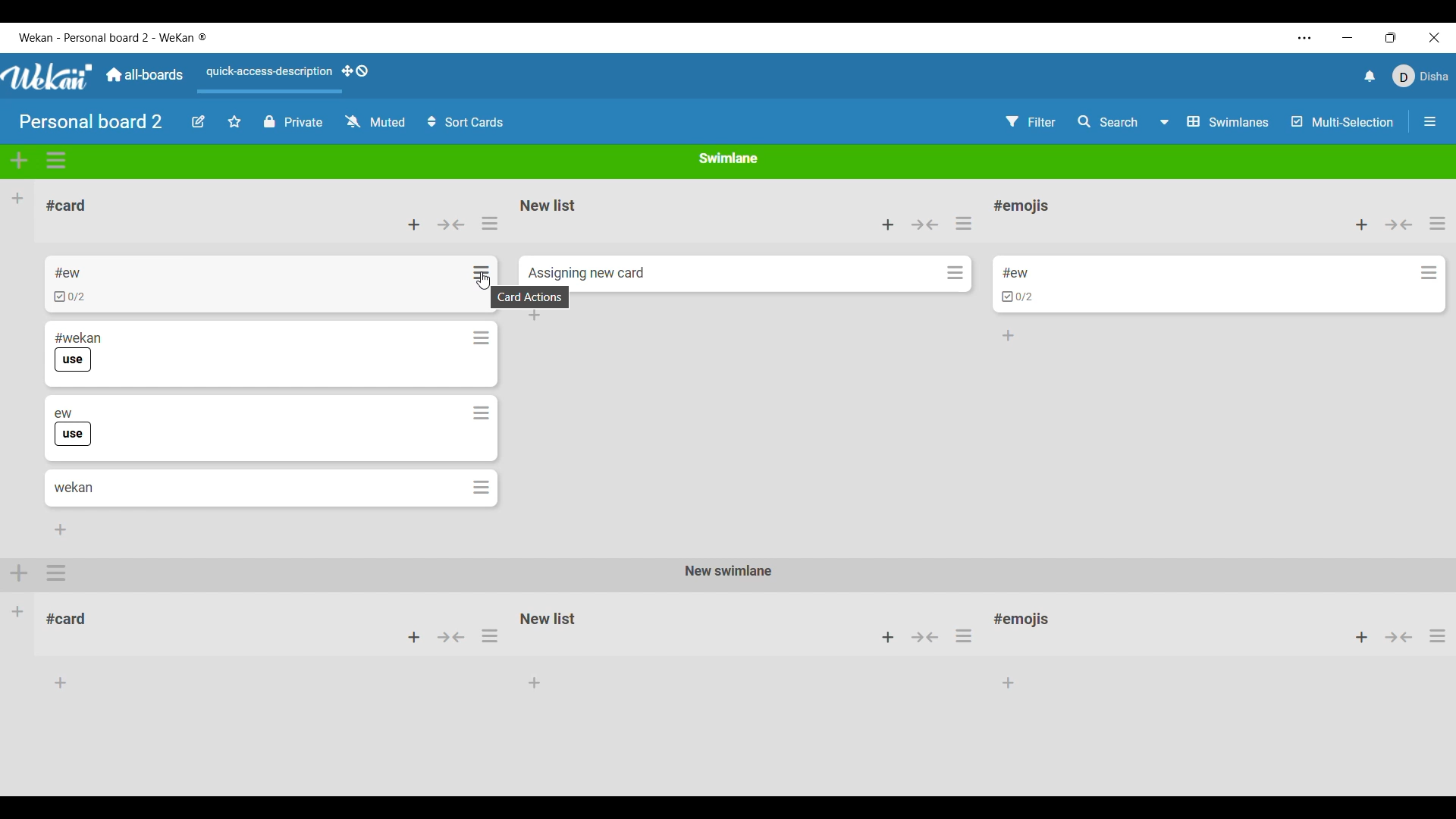 The height and width of the screenshot is (819, 1456). Describe the element at coordinates (1399, 224) in the screenshot. I see `Collapse` at that location.